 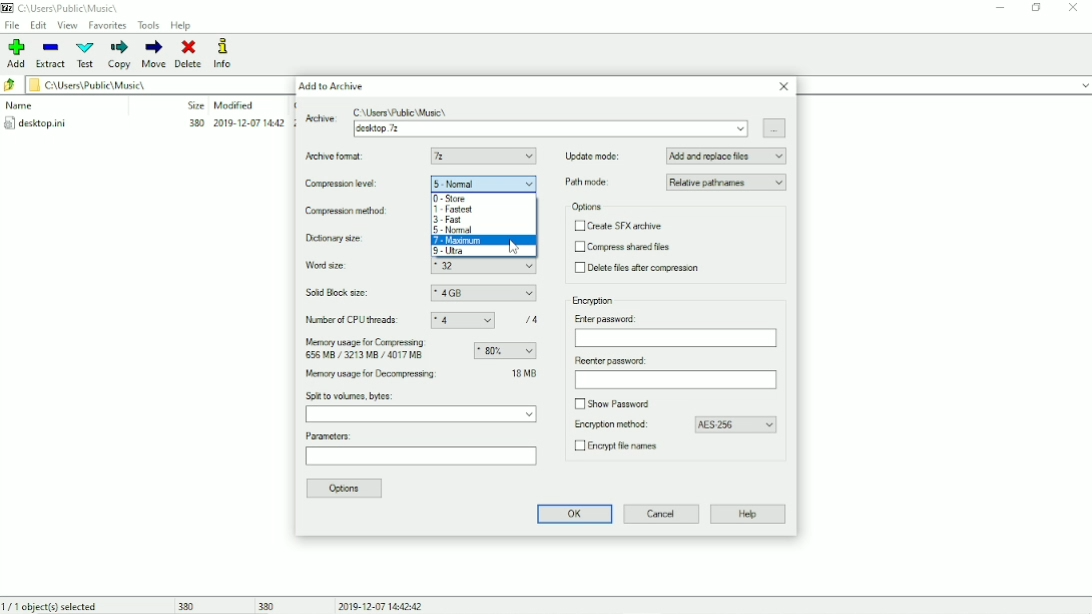 What do you see at coordinates (121, 55) in the screenshot?
I see `Copy` at bounding box center [121, 55].